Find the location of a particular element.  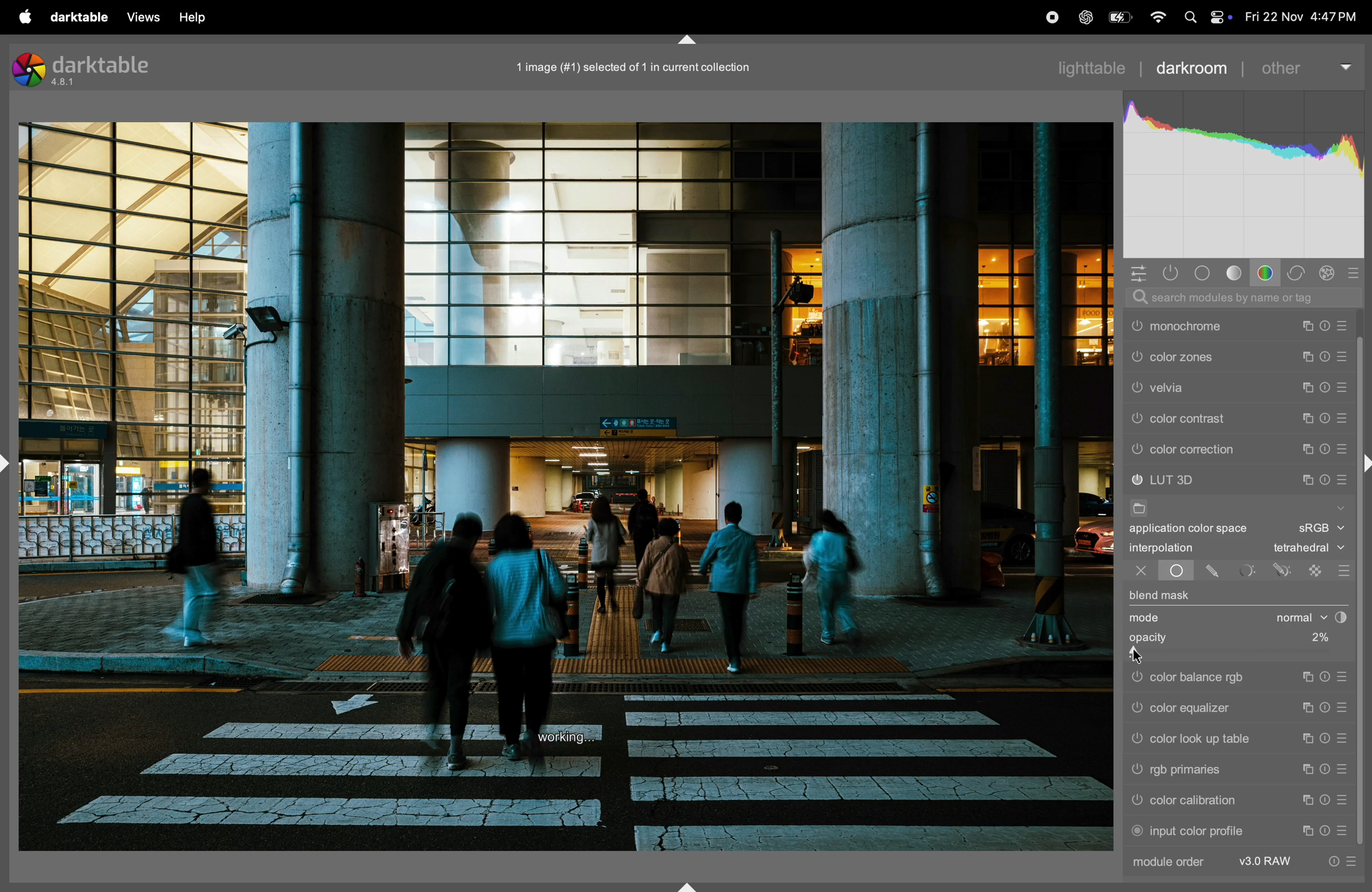

close is located at coordinates (1134, 572).